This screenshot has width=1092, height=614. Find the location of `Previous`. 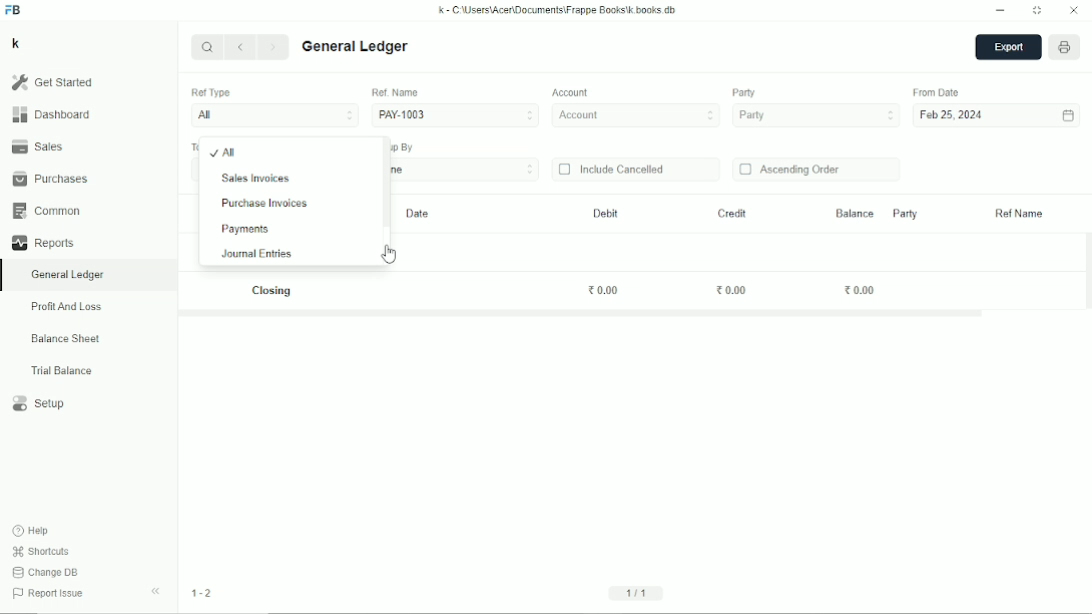

Previous is located at coordinates (242, 48).